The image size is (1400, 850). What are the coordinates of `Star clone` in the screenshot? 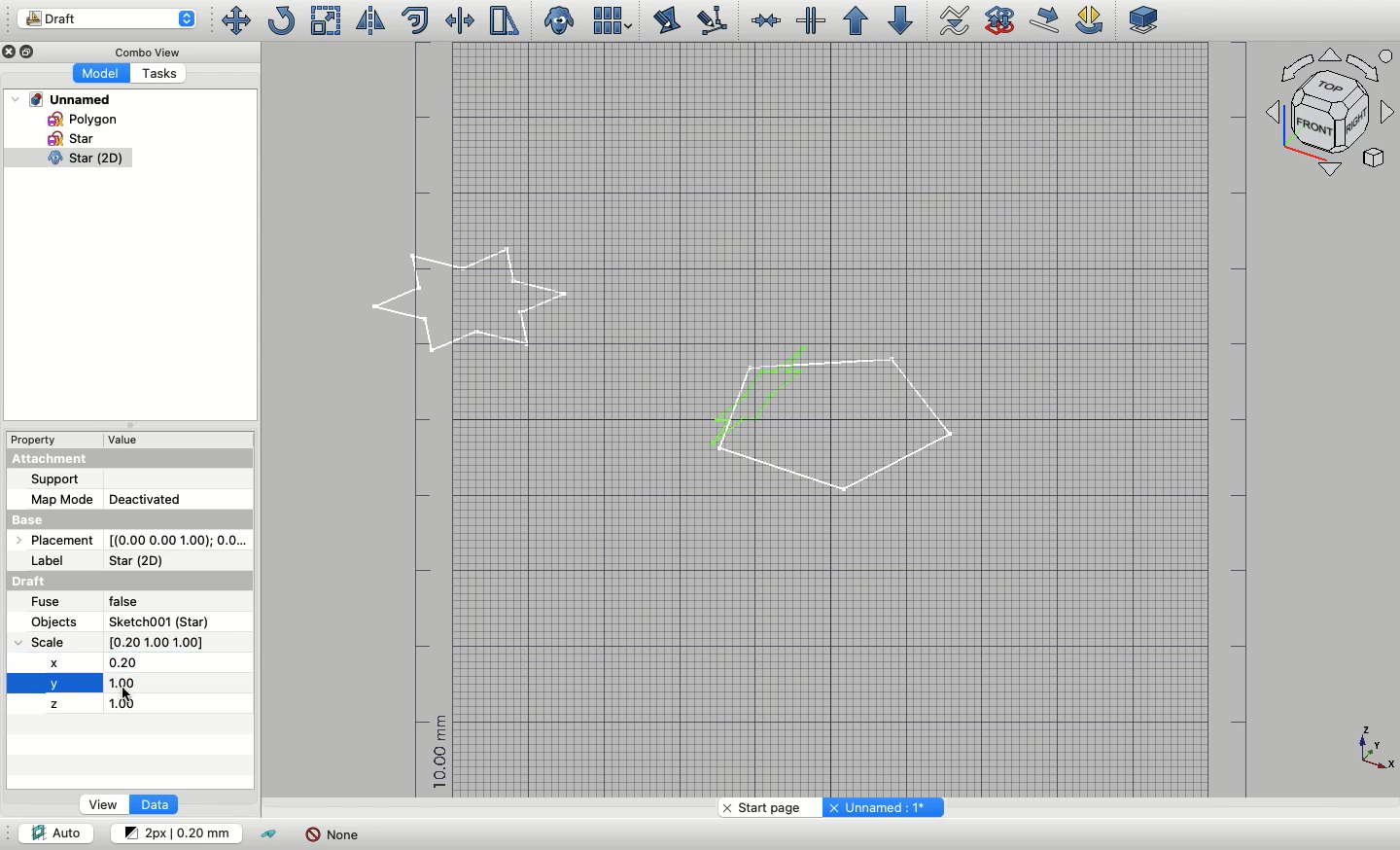 It's located at (66, 159).